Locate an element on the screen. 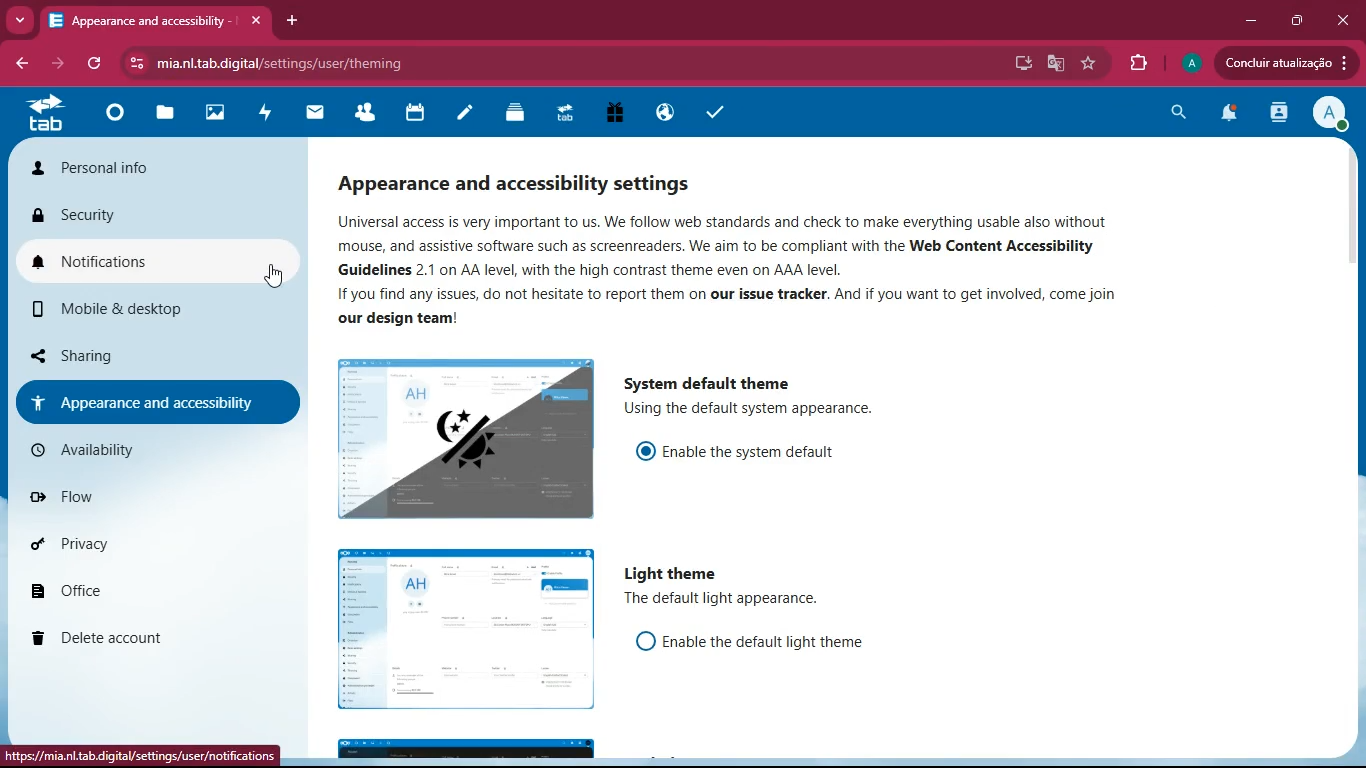 The width and height of the screenshot is (1366, 768). security is located at coordinates (149, 213).